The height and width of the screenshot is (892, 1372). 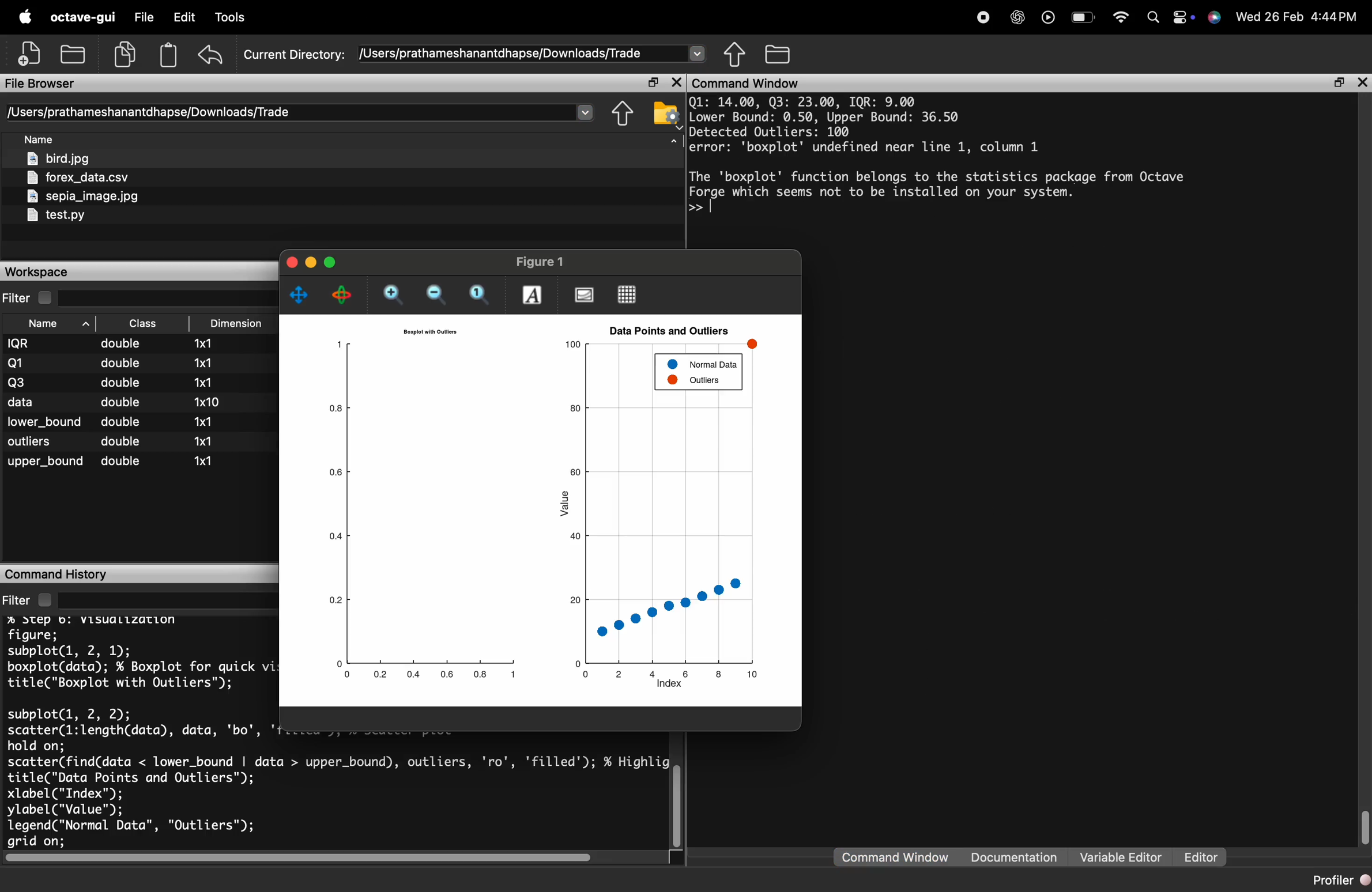 What do you see at coordinates (1183, 18) in the screenshot?
I see `action center` at bounding box center [1183, 18].